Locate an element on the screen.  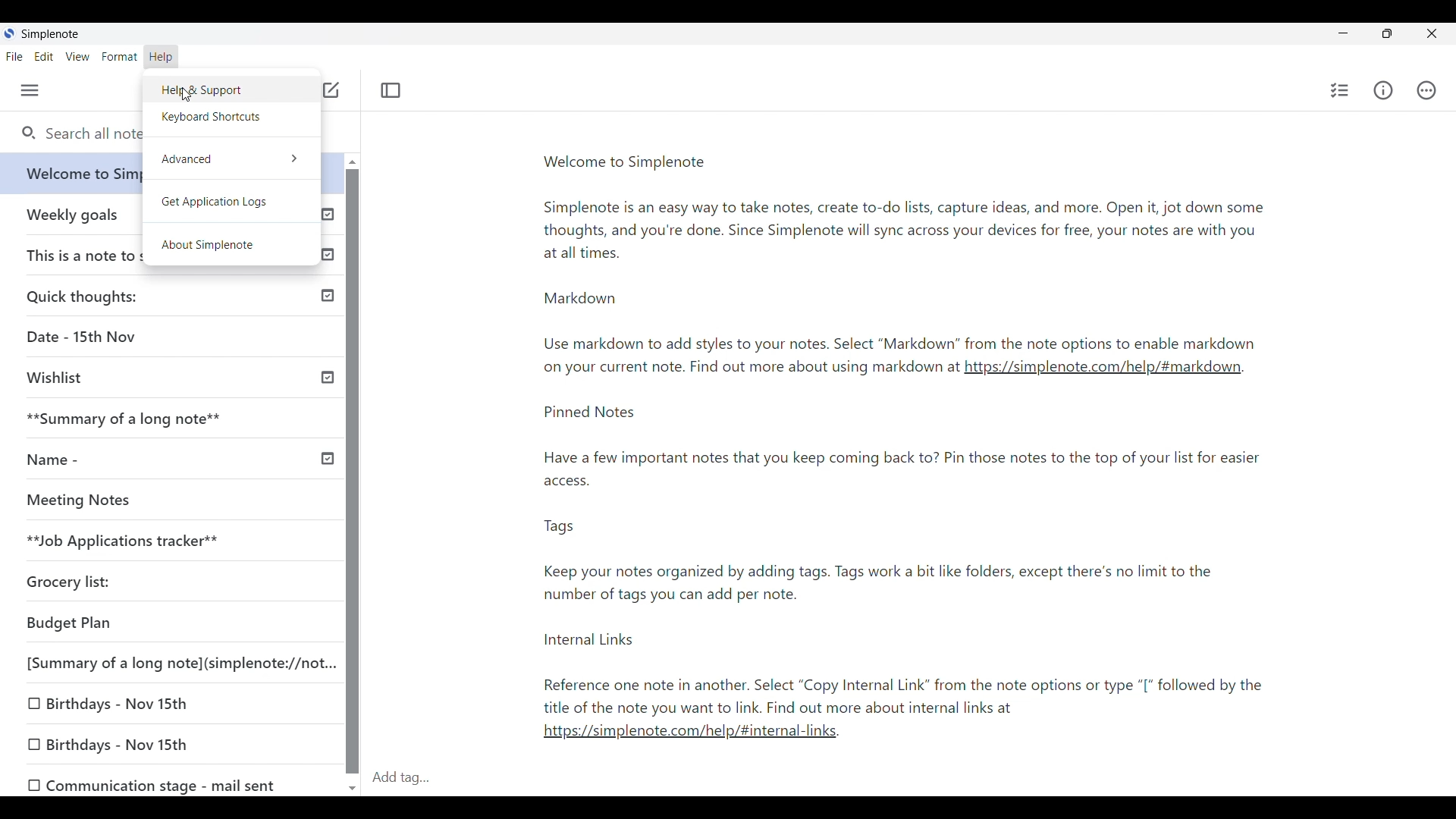
File menu is located at coordinates (14, 57).